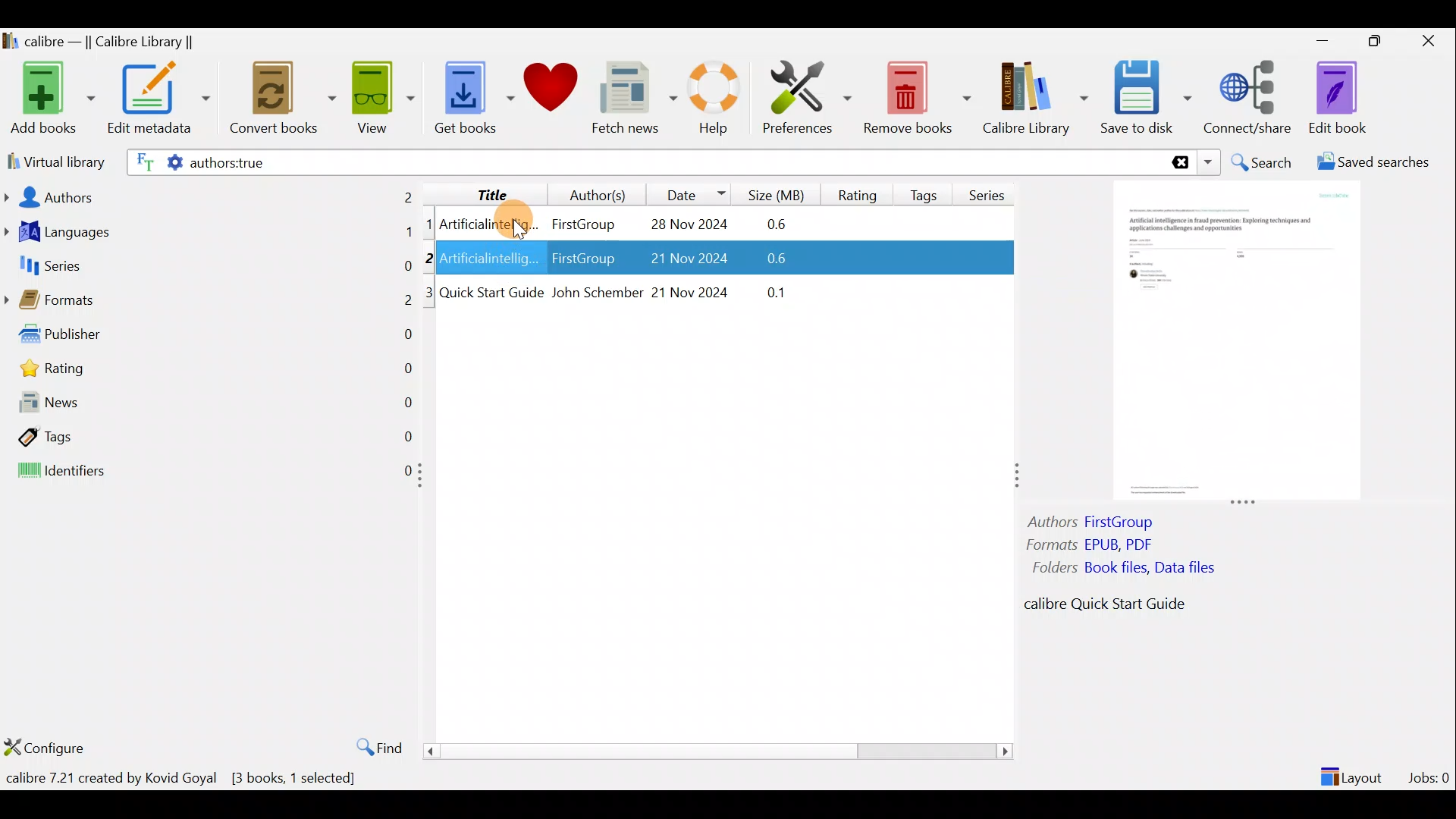  What do you see at coordinates (158, 101) in the screenshot?
I see `Edit metadata` at bounding box center [158, 101].